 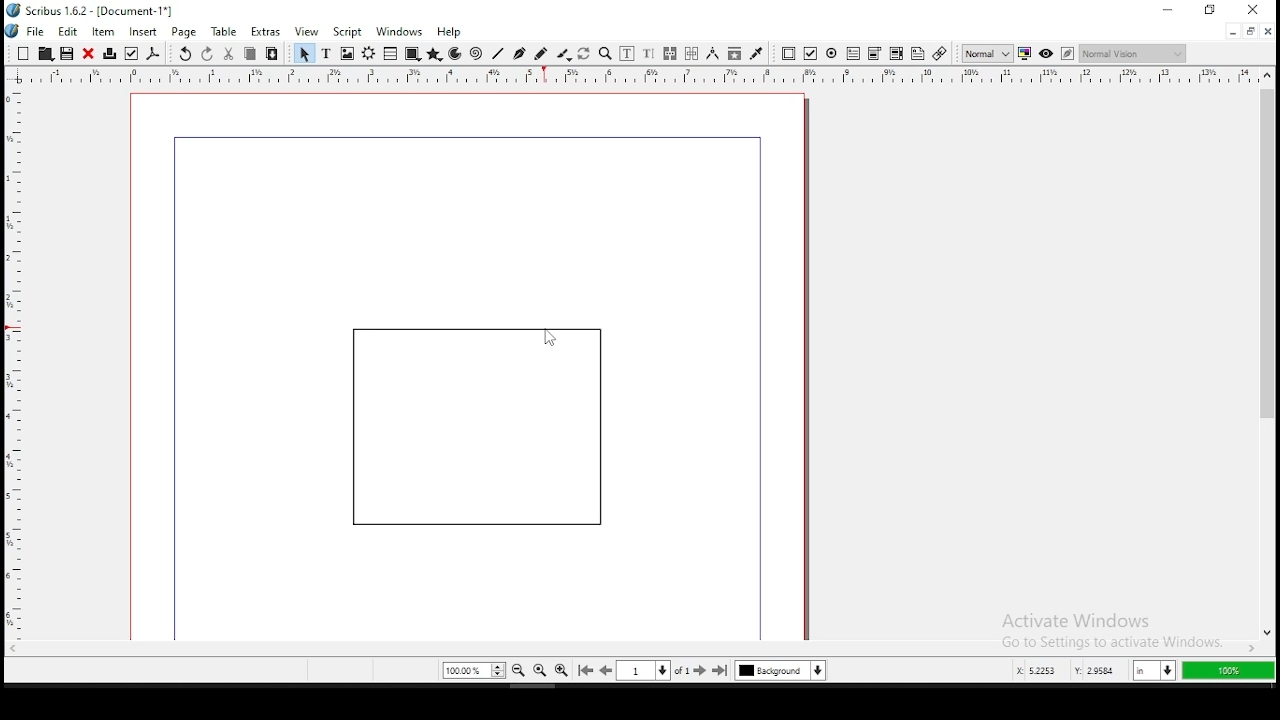 I want to click on close, so click(x=88, y=54).